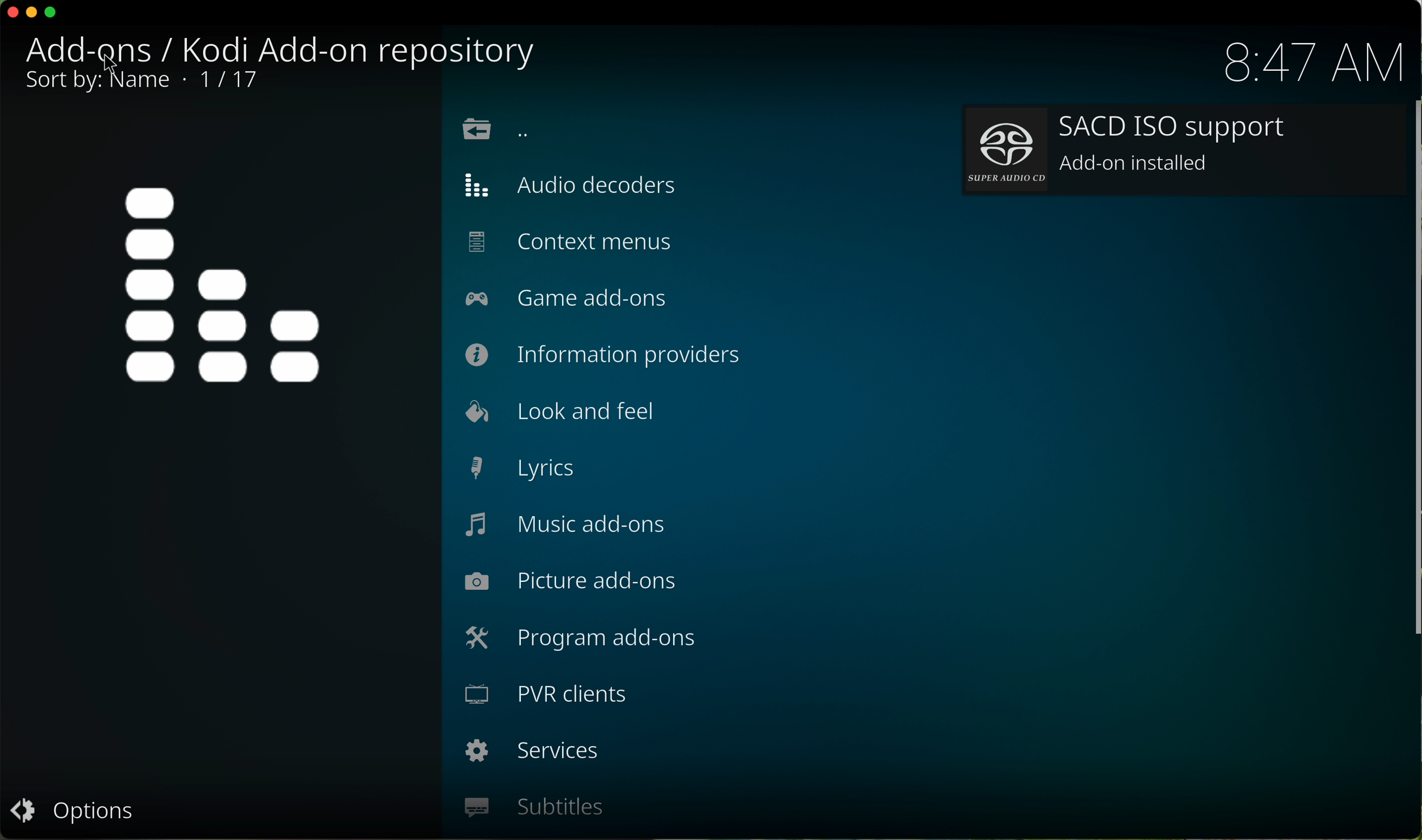  I want to click on close program, so click(11, 13).